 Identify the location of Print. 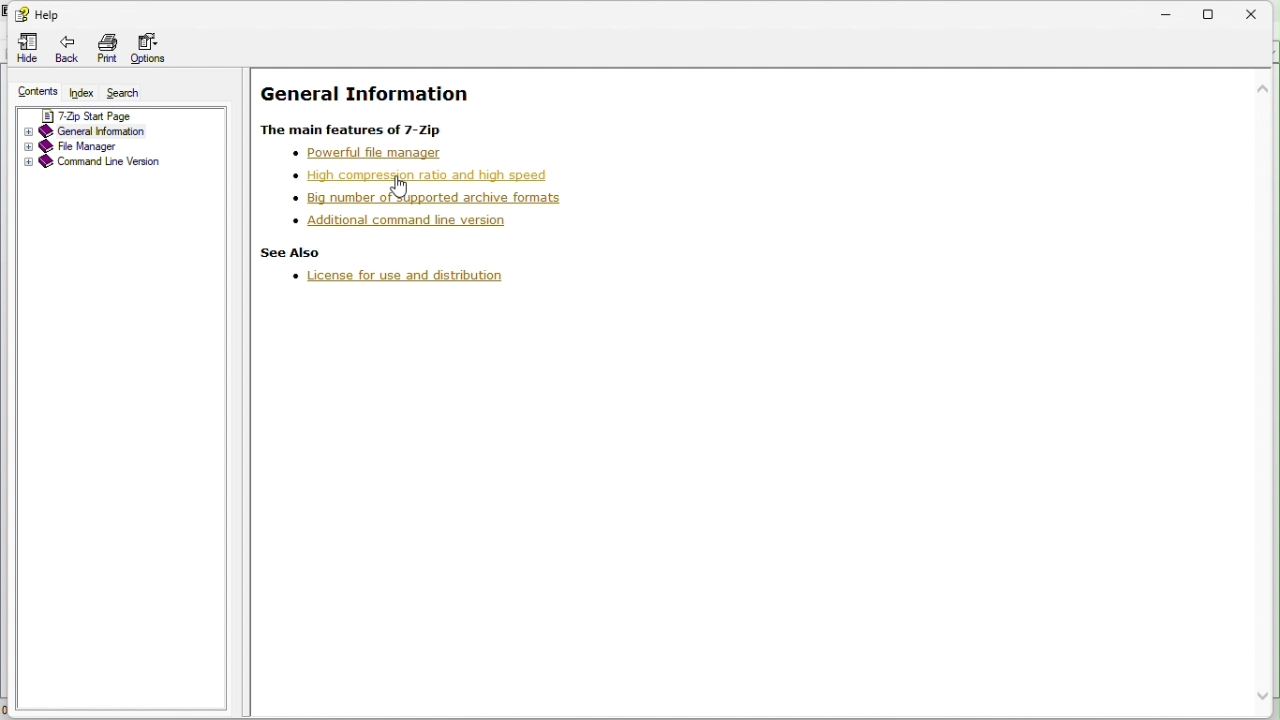
(105, 46).